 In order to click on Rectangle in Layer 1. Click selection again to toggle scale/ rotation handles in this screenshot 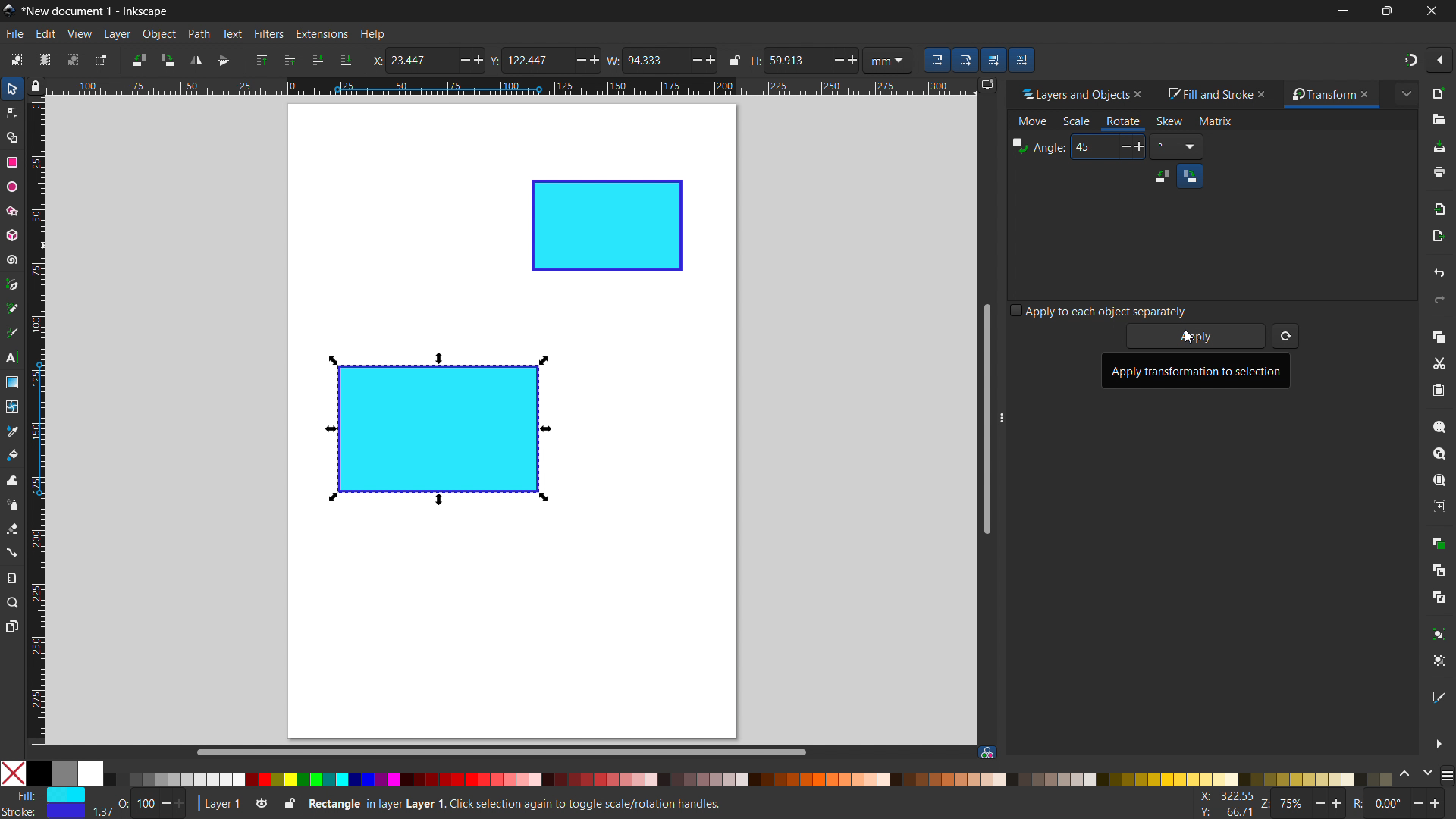, I will do `click(518, 802)`.